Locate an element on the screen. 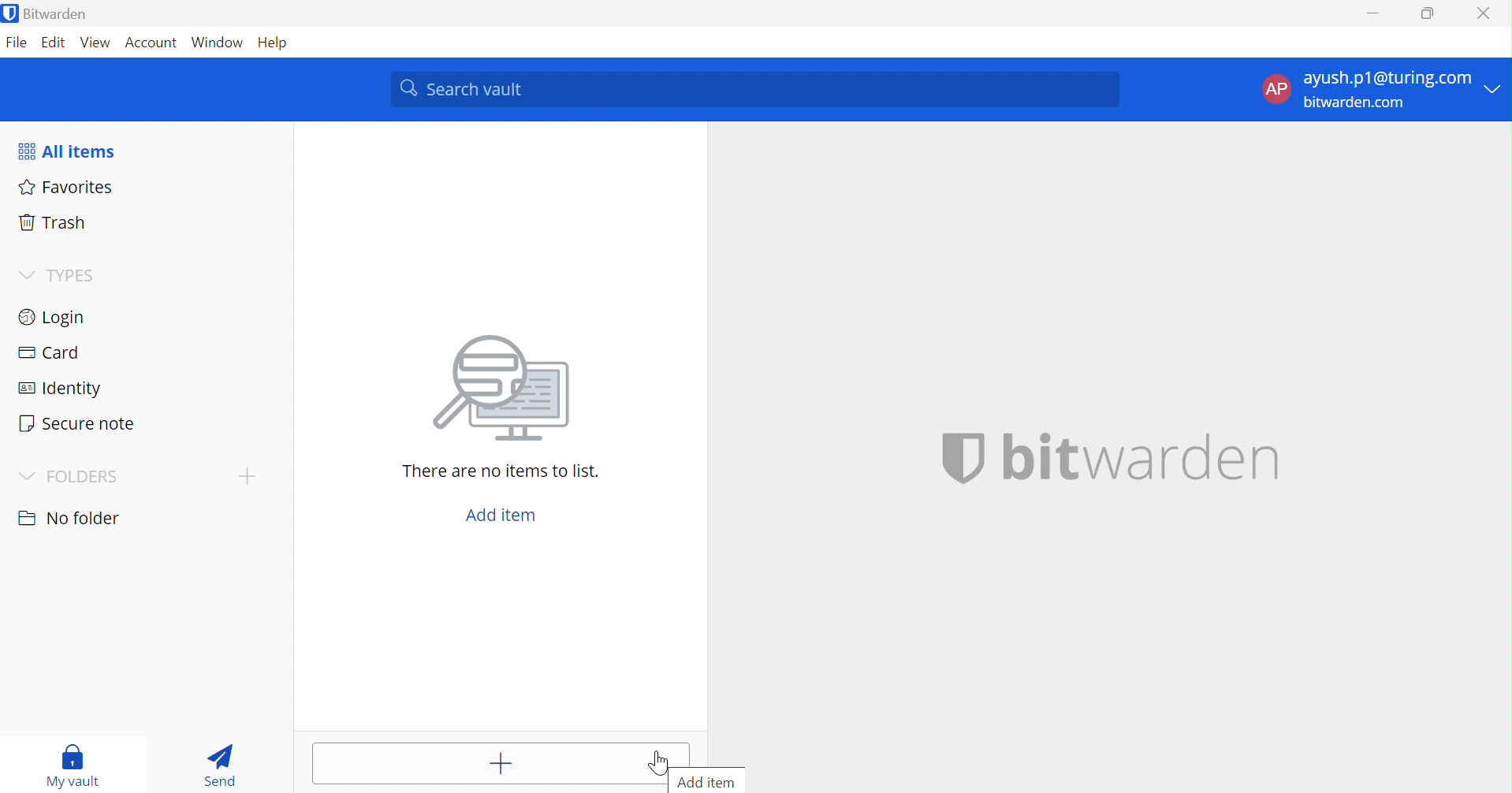  Trash is located at coordinates (51, 225).